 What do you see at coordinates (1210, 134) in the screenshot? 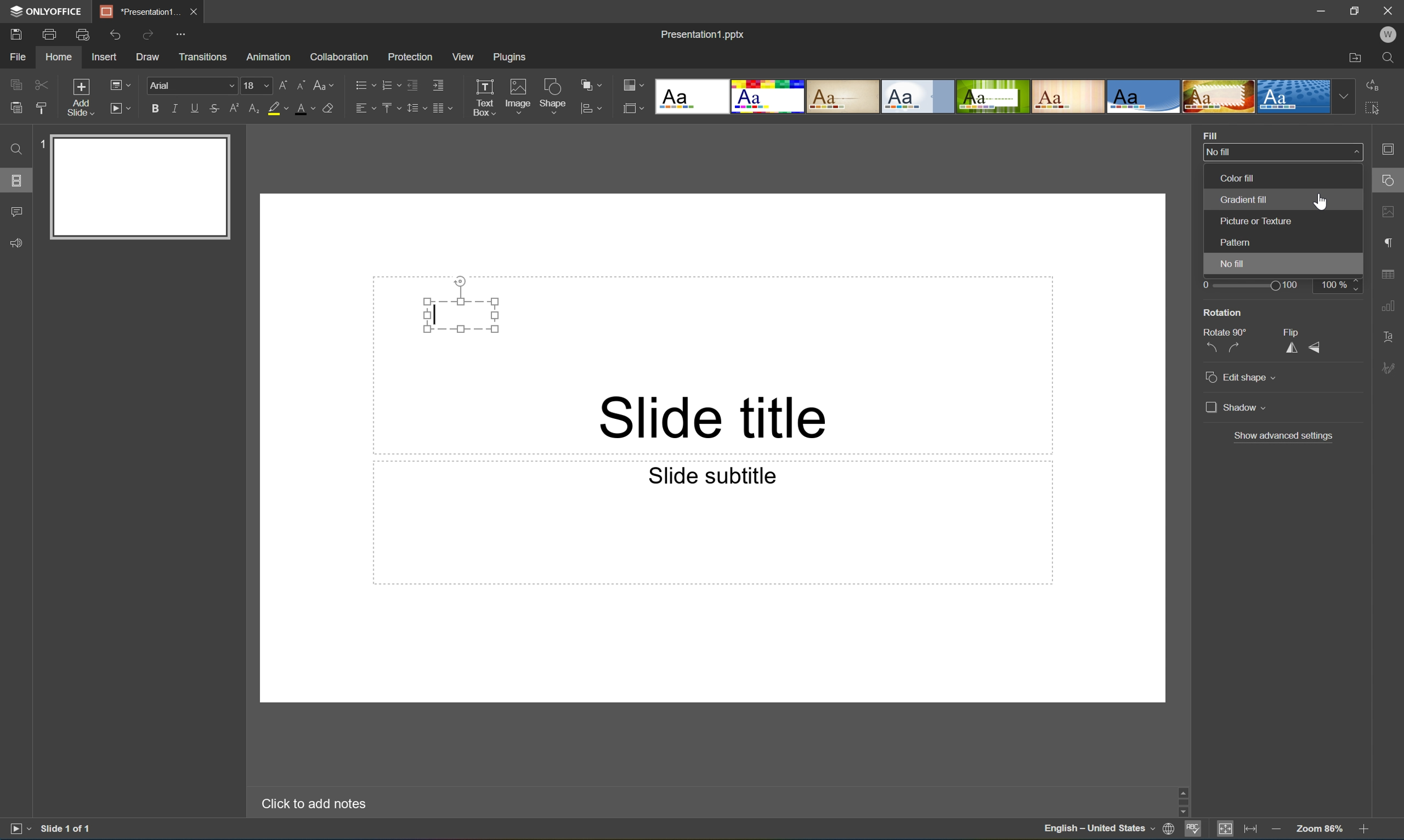
I see `Fill` at bounding box center [1210, 134].